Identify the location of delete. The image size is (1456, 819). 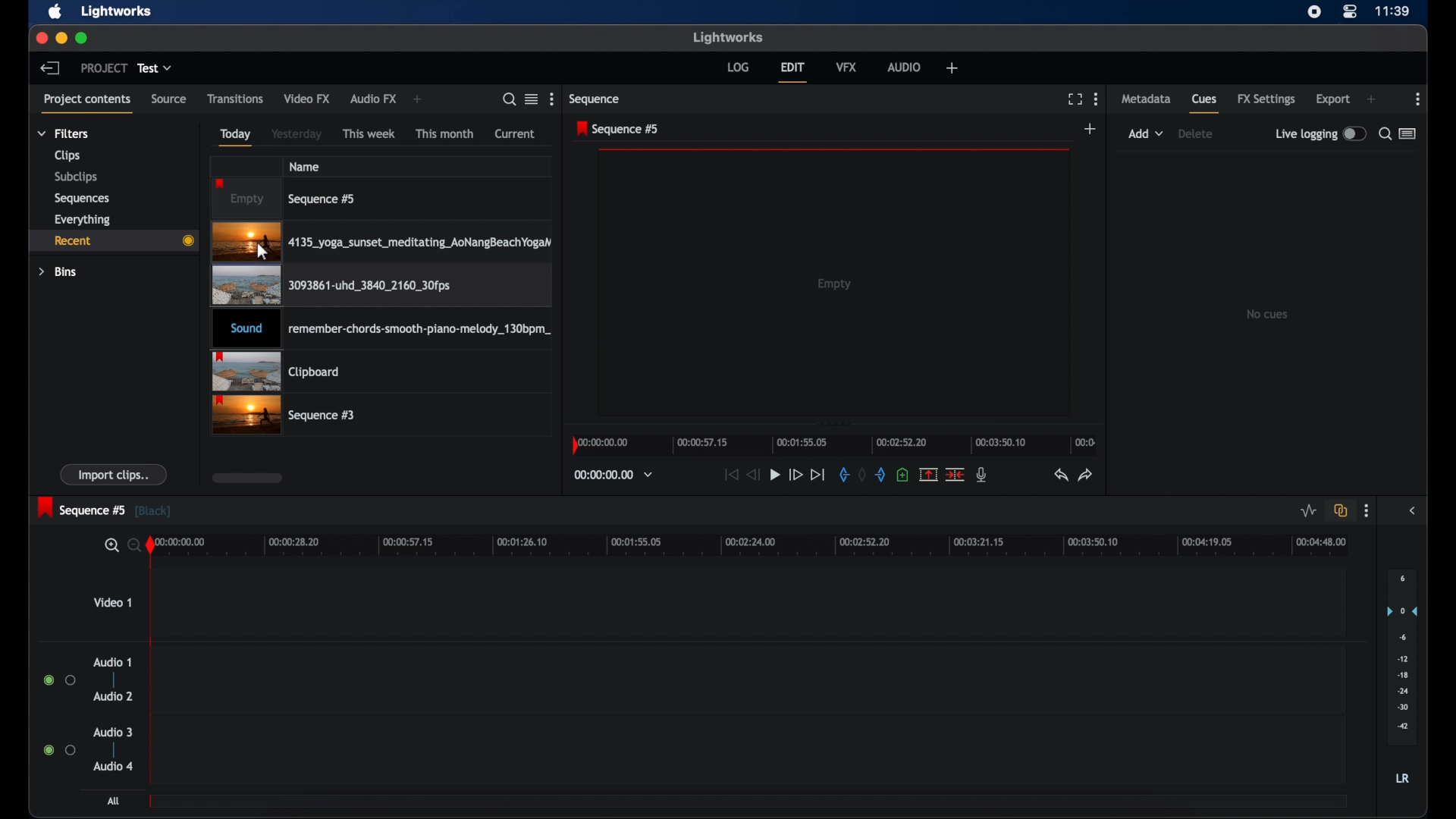
(1195, 133).